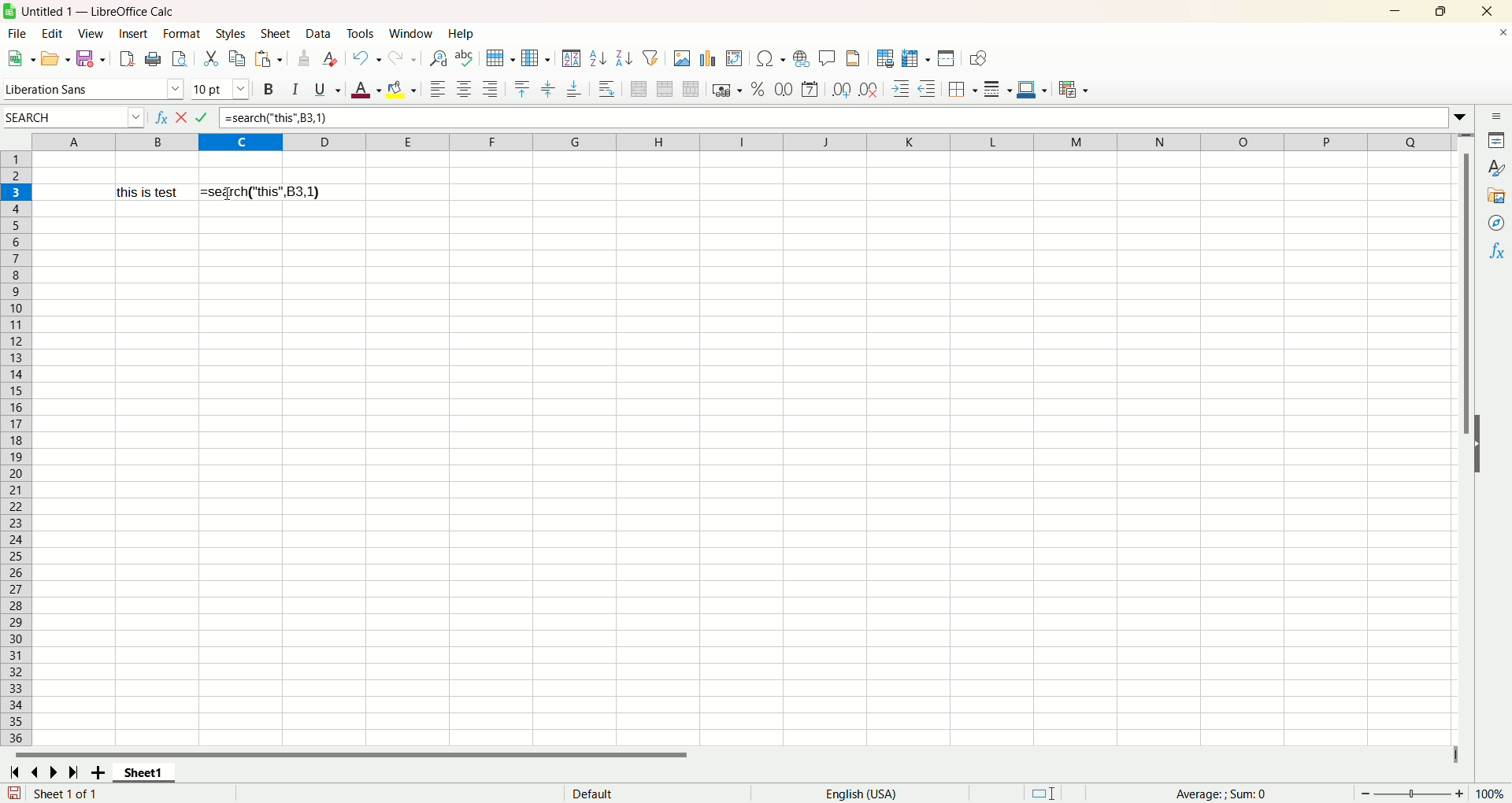  What do you see at coordinates (152, 192) in the screenshot?
I see `this is test` at bounding box center [152, 192].